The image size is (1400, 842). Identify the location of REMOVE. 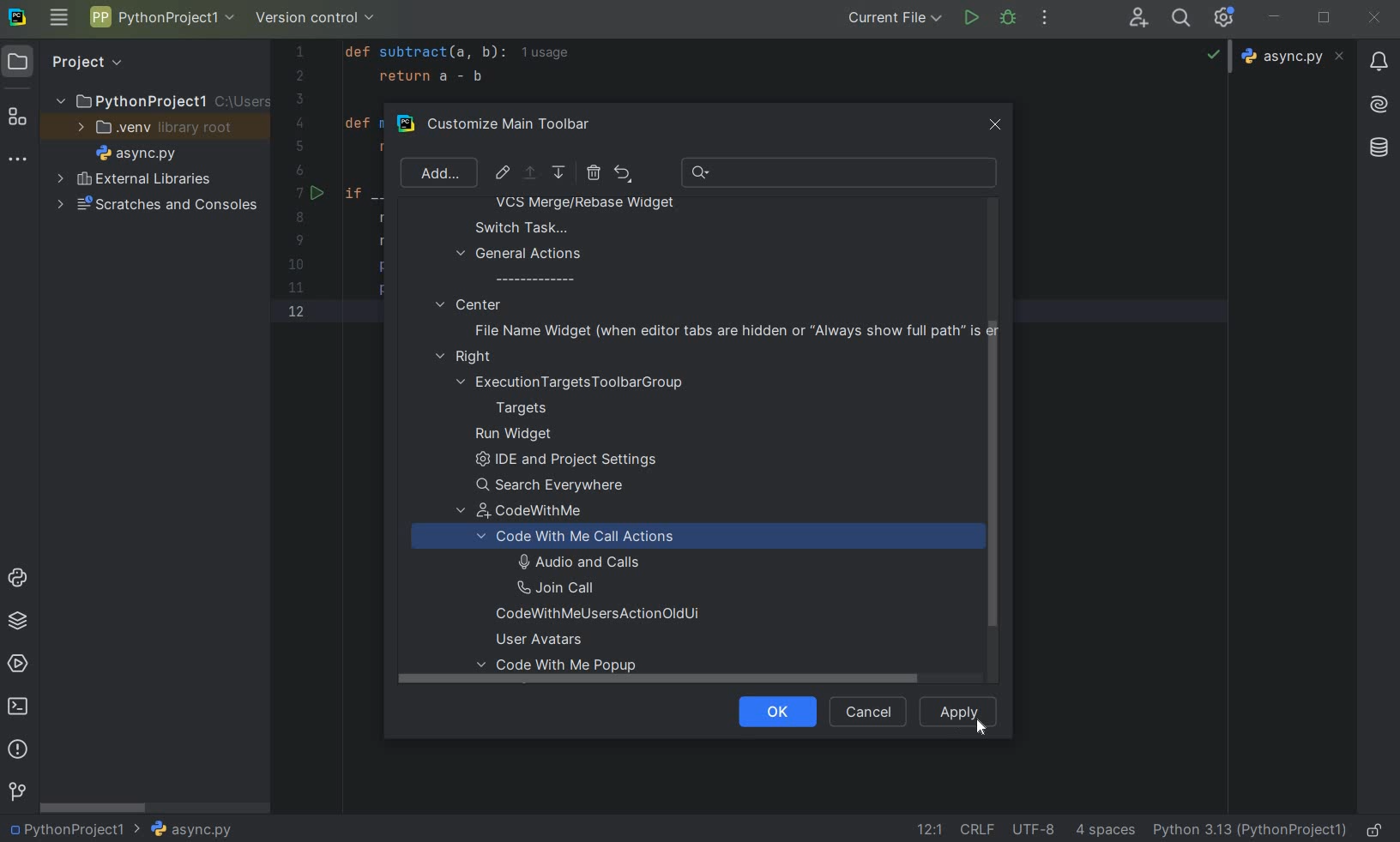
(593, 172).